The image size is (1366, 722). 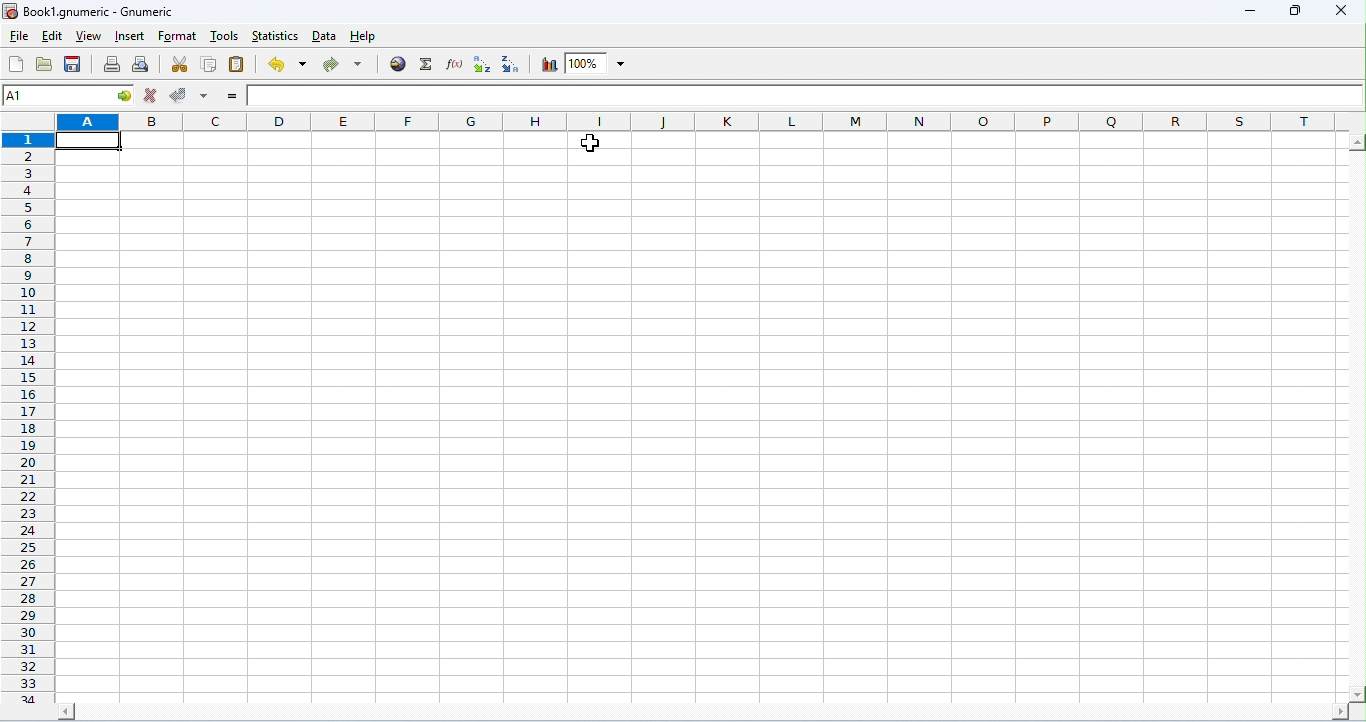 What do you see at coordinates (87, 36) in the screenshot?
I see `view` at bounding box center [87, 36].